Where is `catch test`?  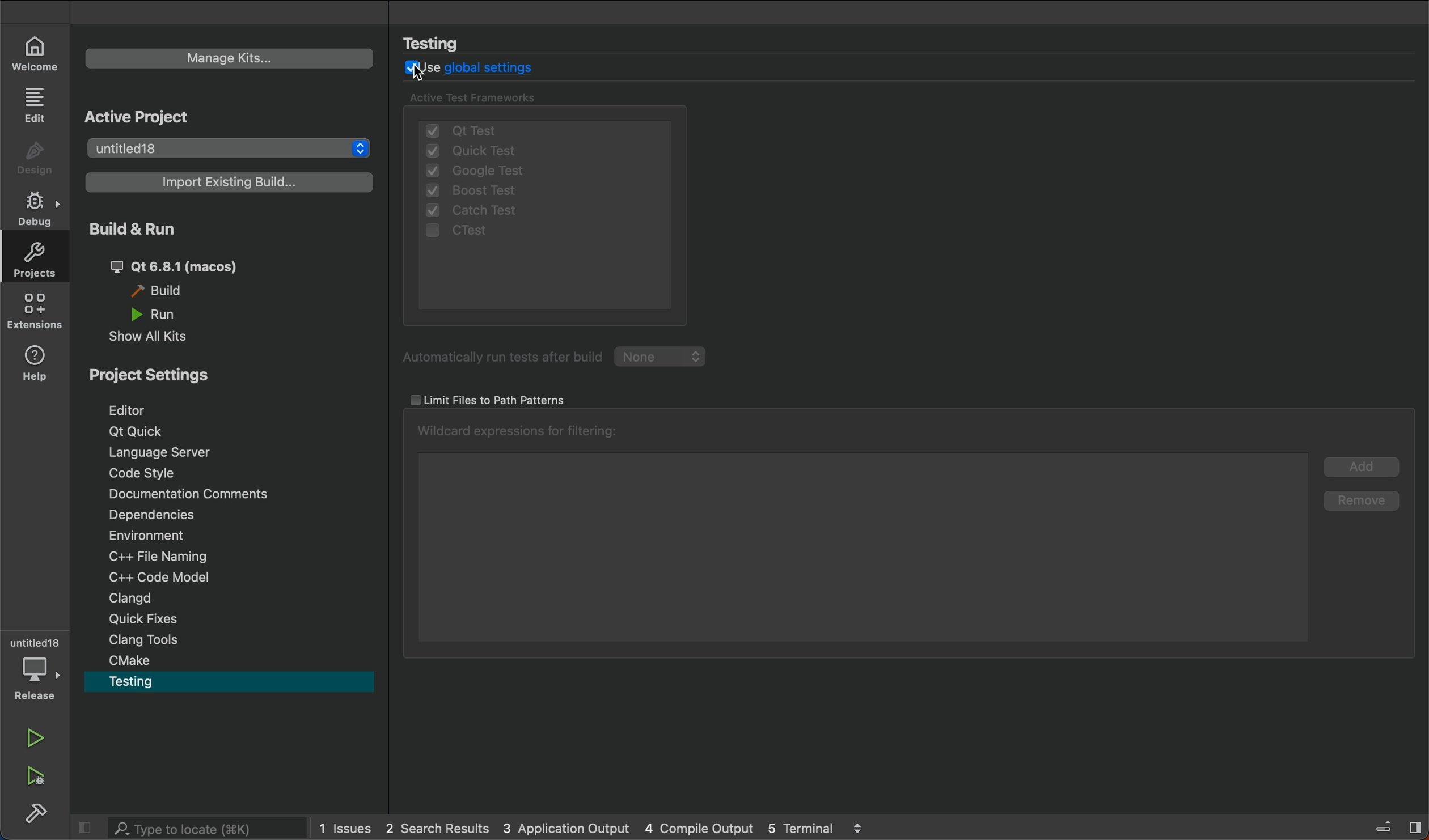
catch test is located at coordinates (484, 211).